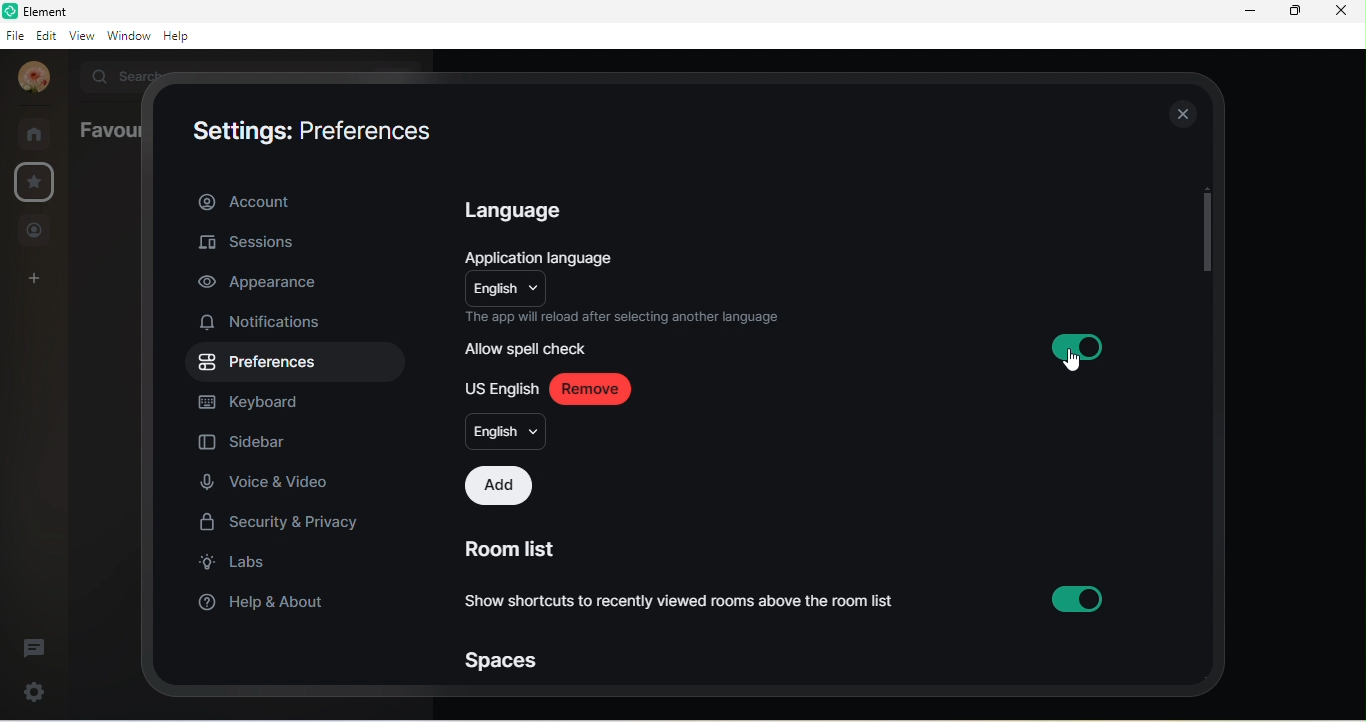 Image resolution: width=1366 pixels, height=722 pixels. Describe the element at coordinates (321, 138) in the screenshot. I see `settings: preferences` at that location.